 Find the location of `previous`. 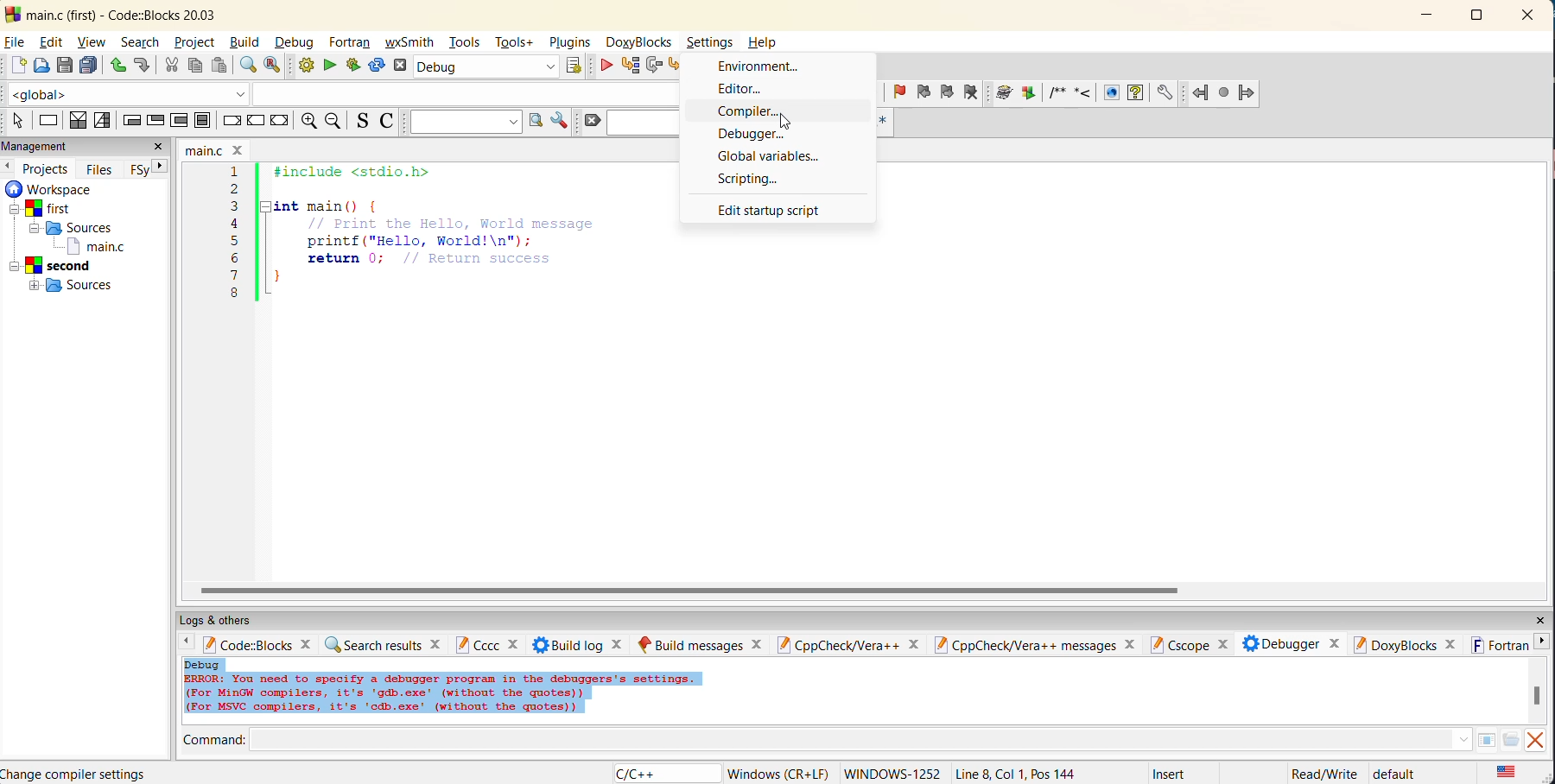

previous is located at coordinates (187, 644).